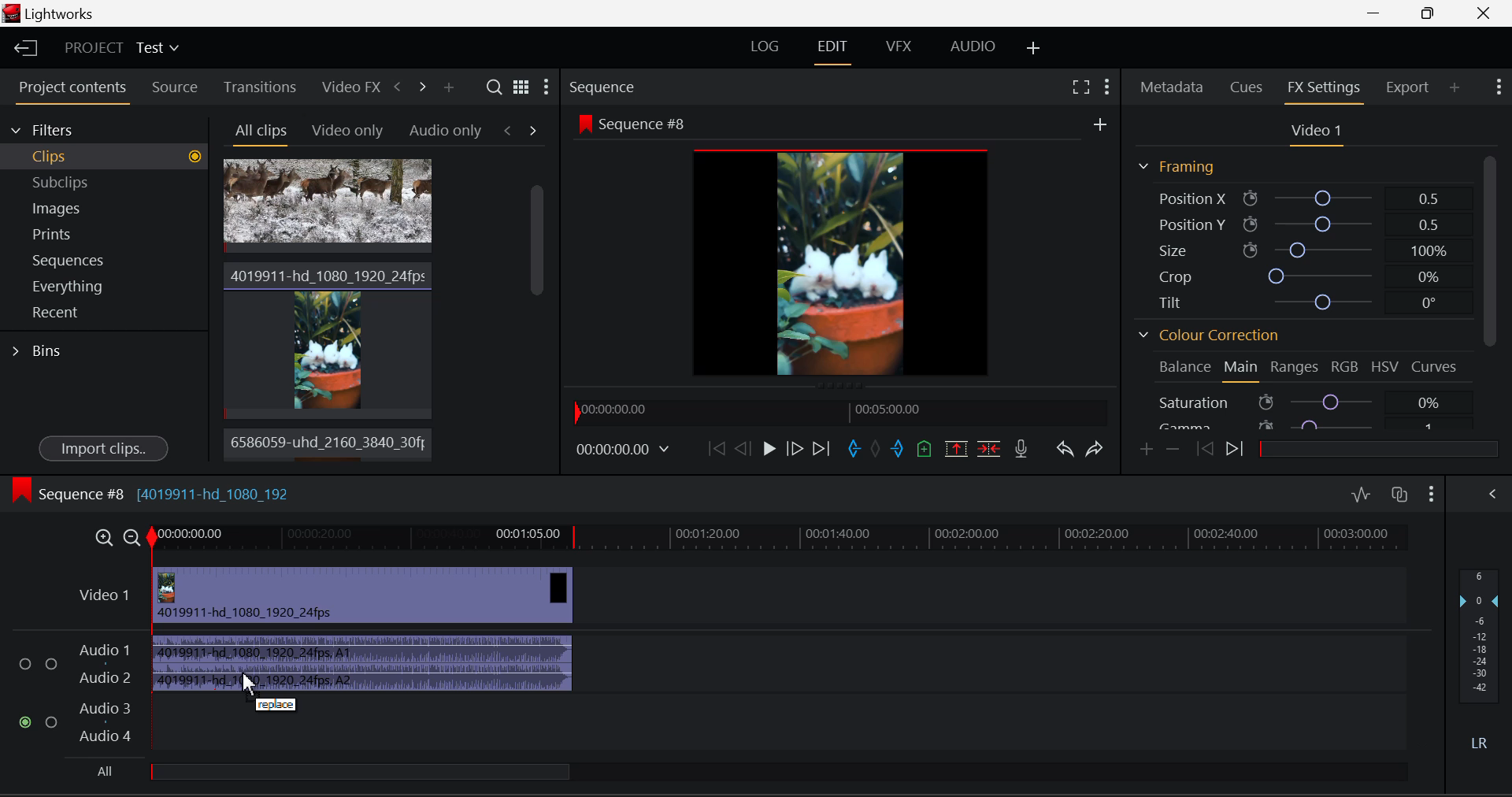 This screenshot has width=1512, height=797. Describe the element at coordinates (1431, 13) in the screenshot. I see `Minimize` at that location.